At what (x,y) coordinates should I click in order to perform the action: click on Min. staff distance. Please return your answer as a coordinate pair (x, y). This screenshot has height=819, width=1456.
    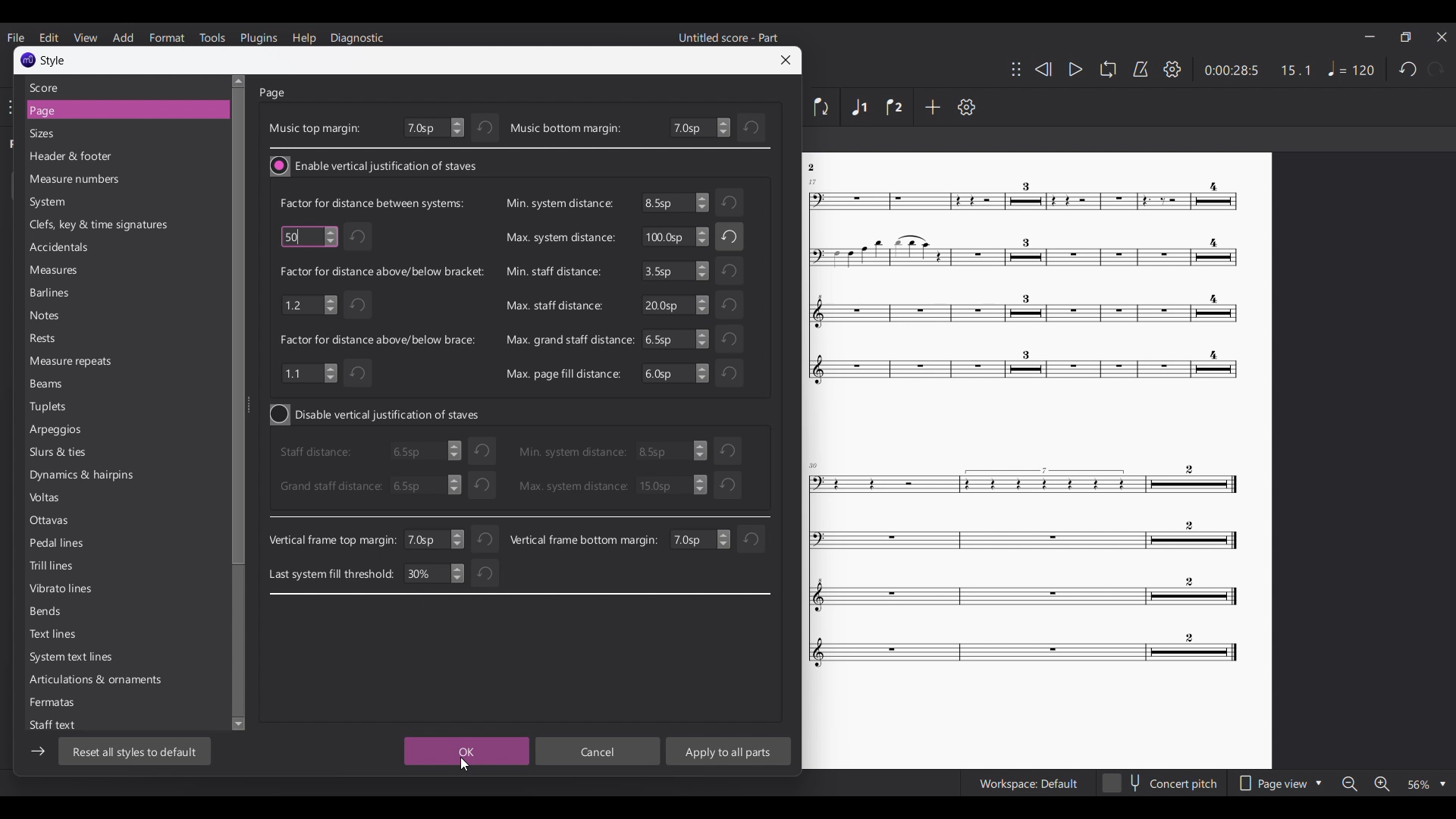
    Looking at the image, I should click on (553, 271).